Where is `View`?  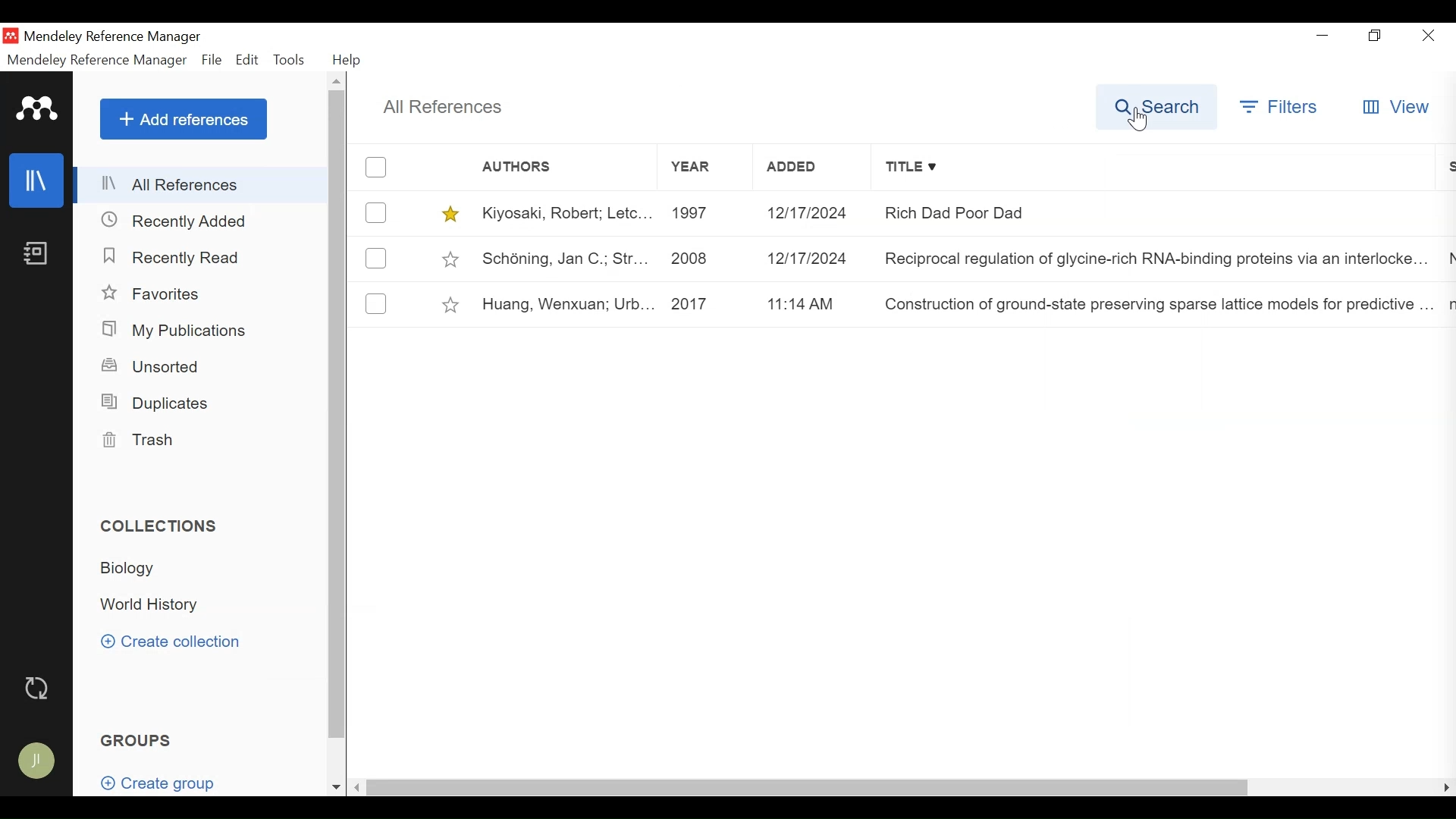
View is located at coordinates (1396, 107).